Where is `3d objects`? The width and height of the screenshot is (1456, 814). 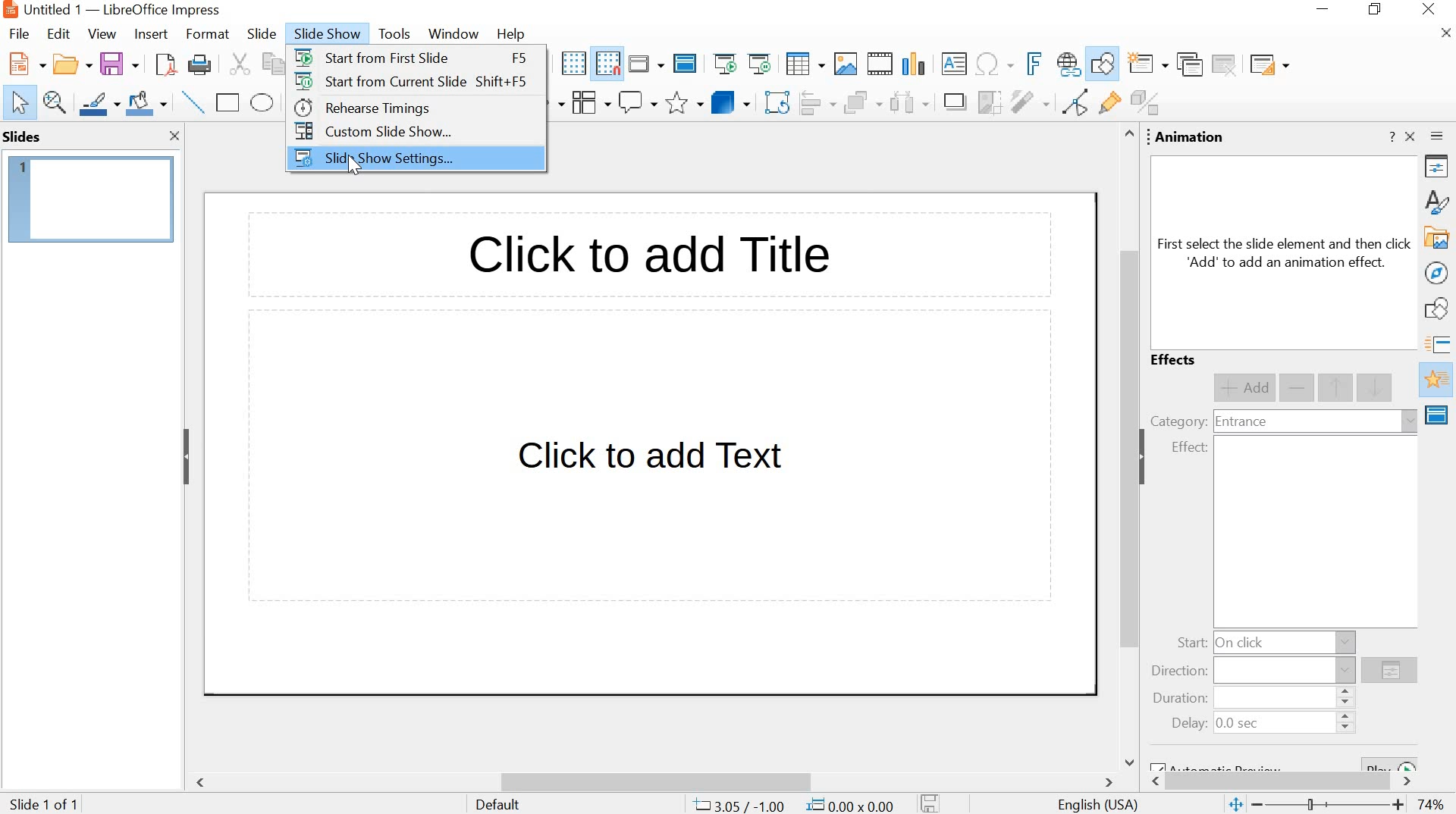
3d objects is located at coordinates (730, 102).